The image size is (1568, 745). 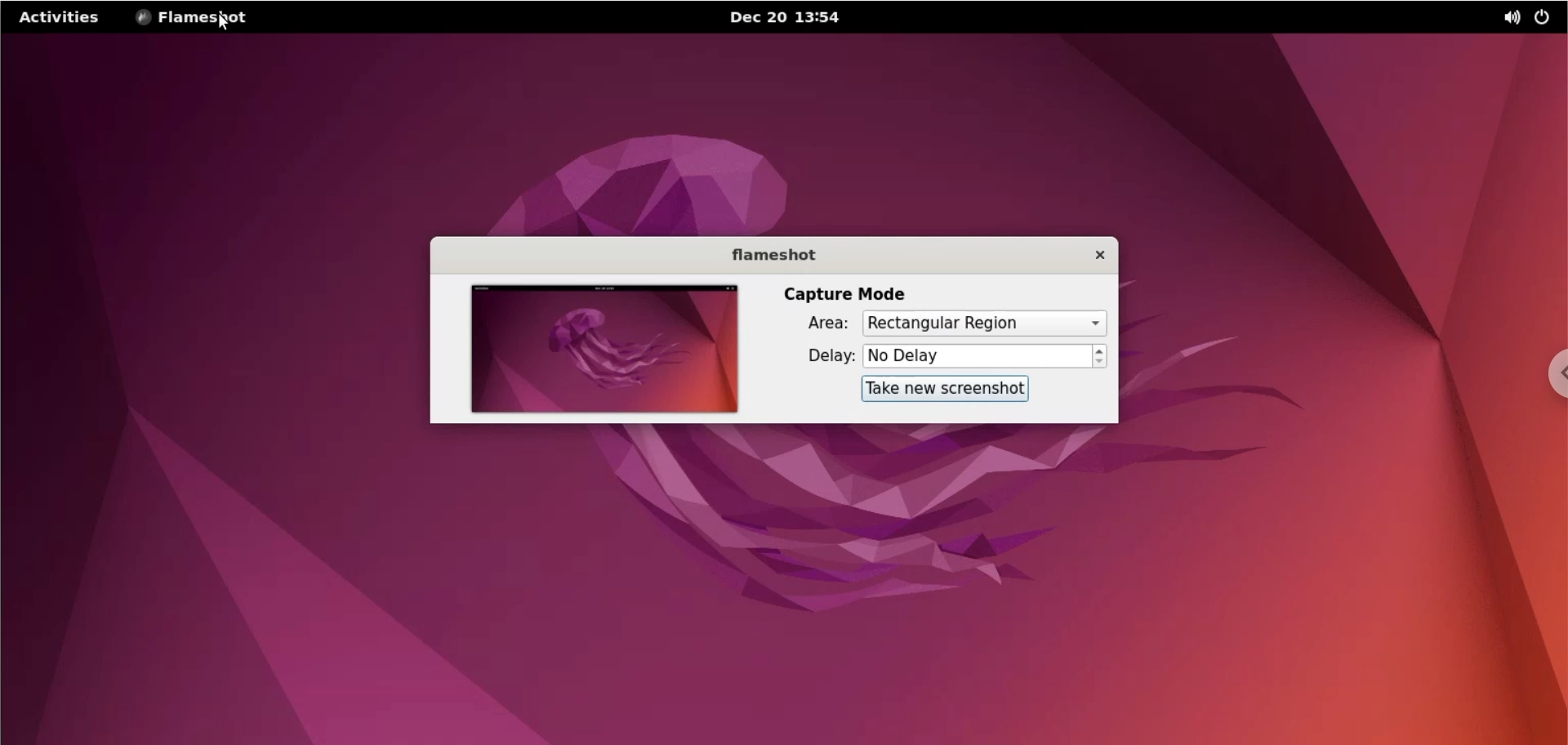 I want to click on close, so click(x=1097, y=256).